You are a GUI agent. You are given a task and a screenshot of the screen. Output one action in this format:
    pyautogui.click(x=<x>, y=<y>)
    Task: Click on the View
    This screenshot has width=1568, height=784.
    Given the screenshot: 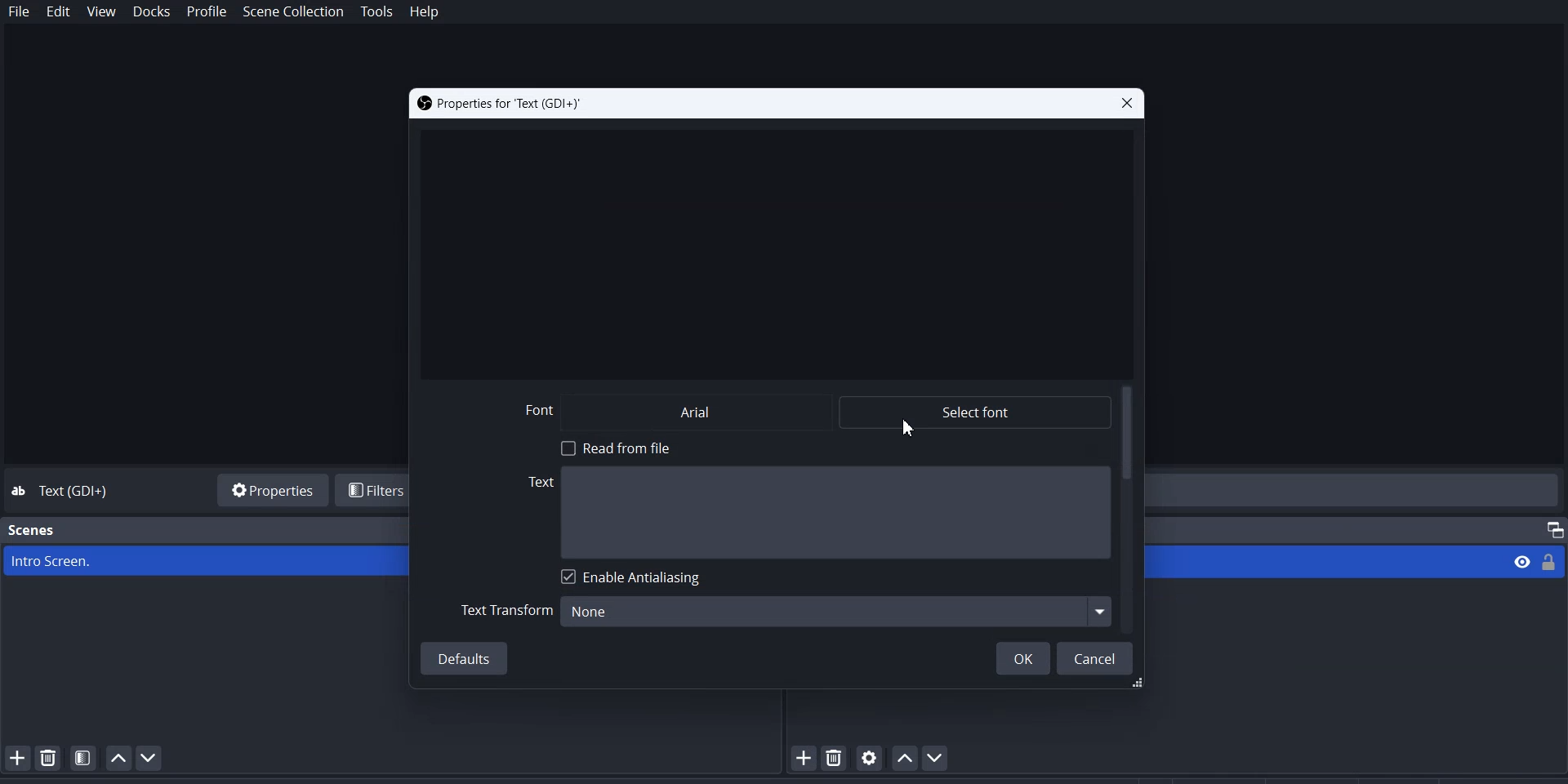 What is the action you would take?
    pyautogui.click(x=1521, y=563)
    